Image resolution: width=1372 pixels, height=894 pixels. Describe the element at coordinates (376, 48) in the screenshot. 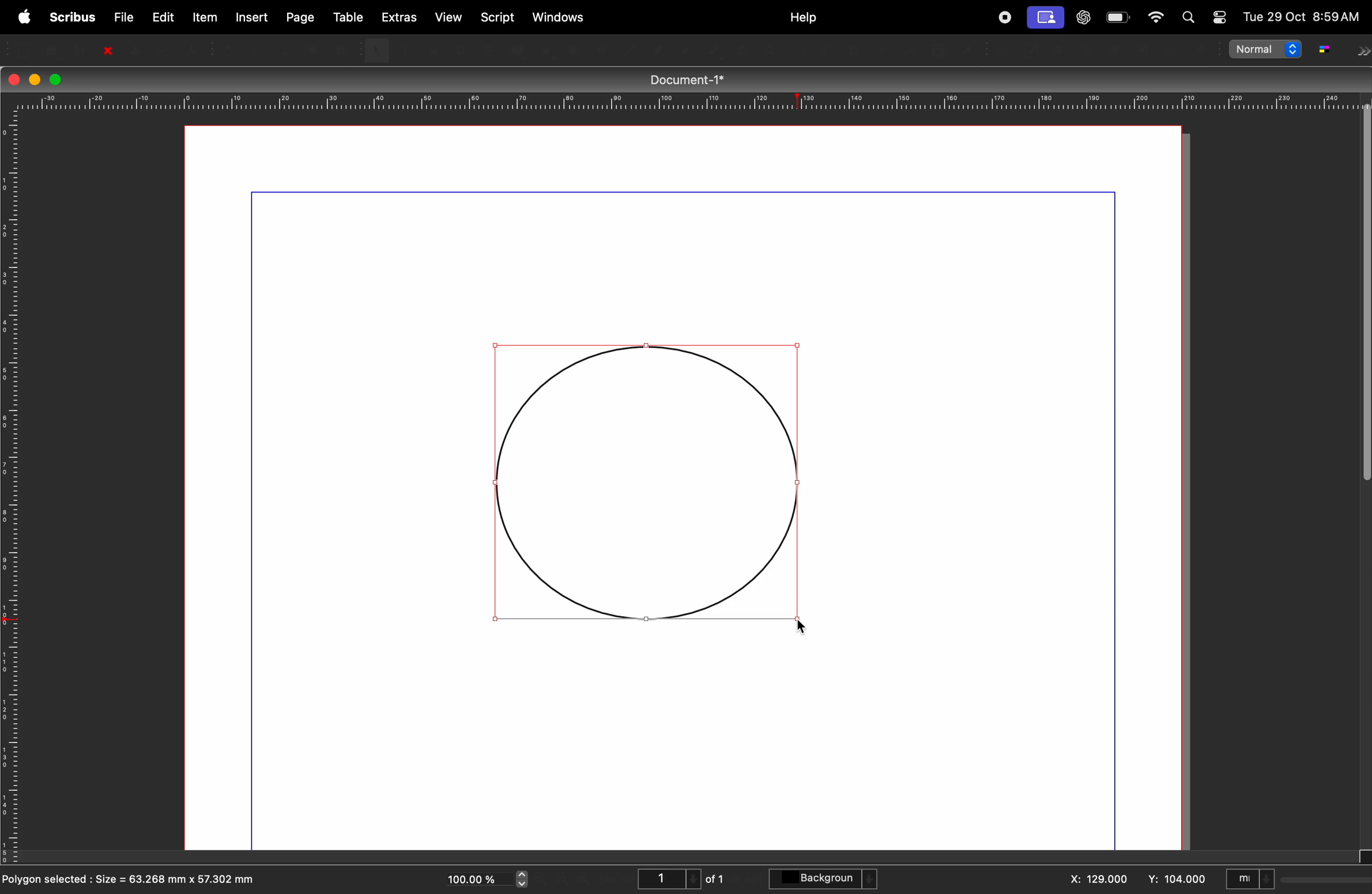

I see `select item` at that location.